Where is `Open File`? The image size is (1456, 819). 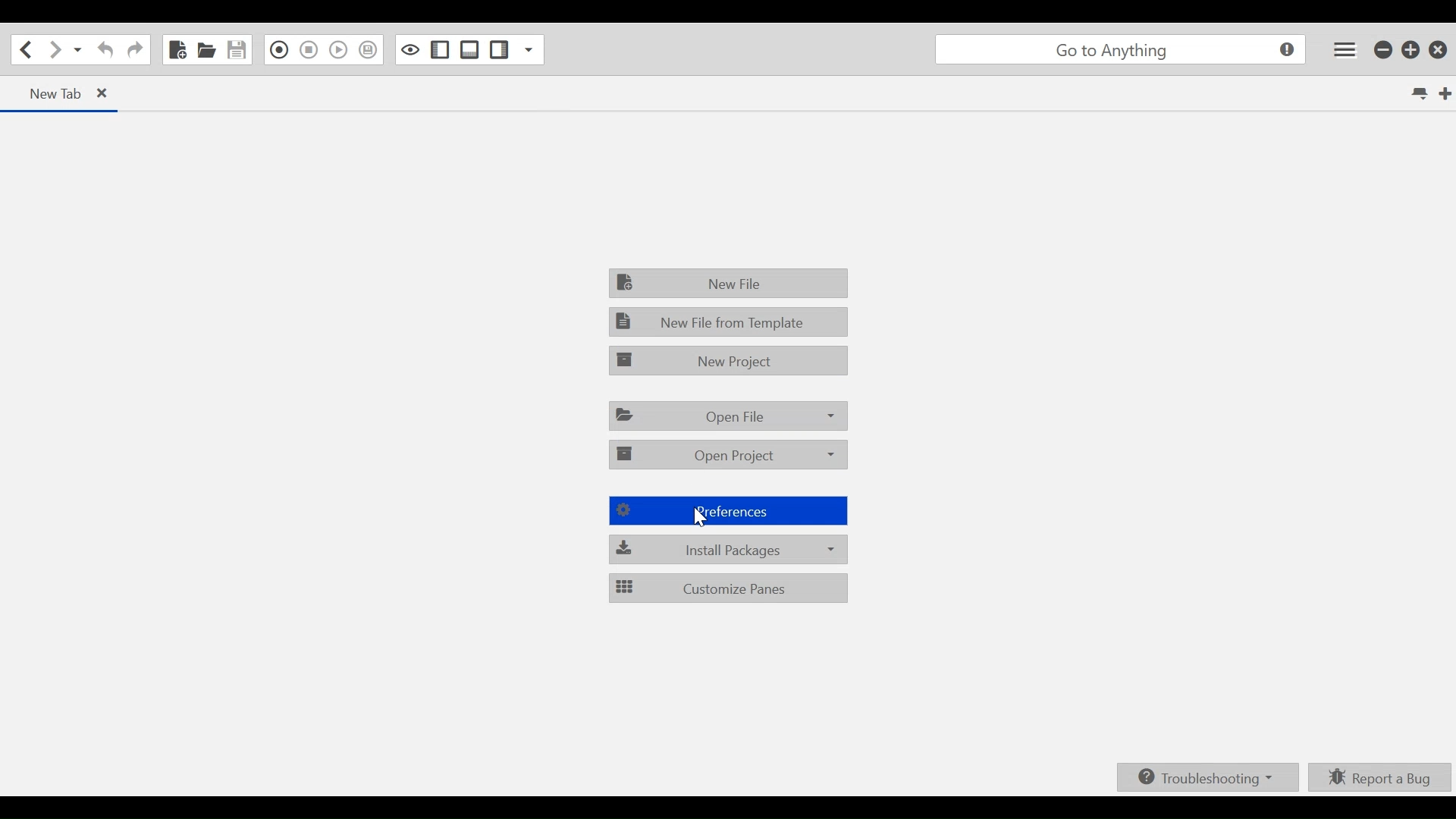
Open File is located at coordinates (727, 416).